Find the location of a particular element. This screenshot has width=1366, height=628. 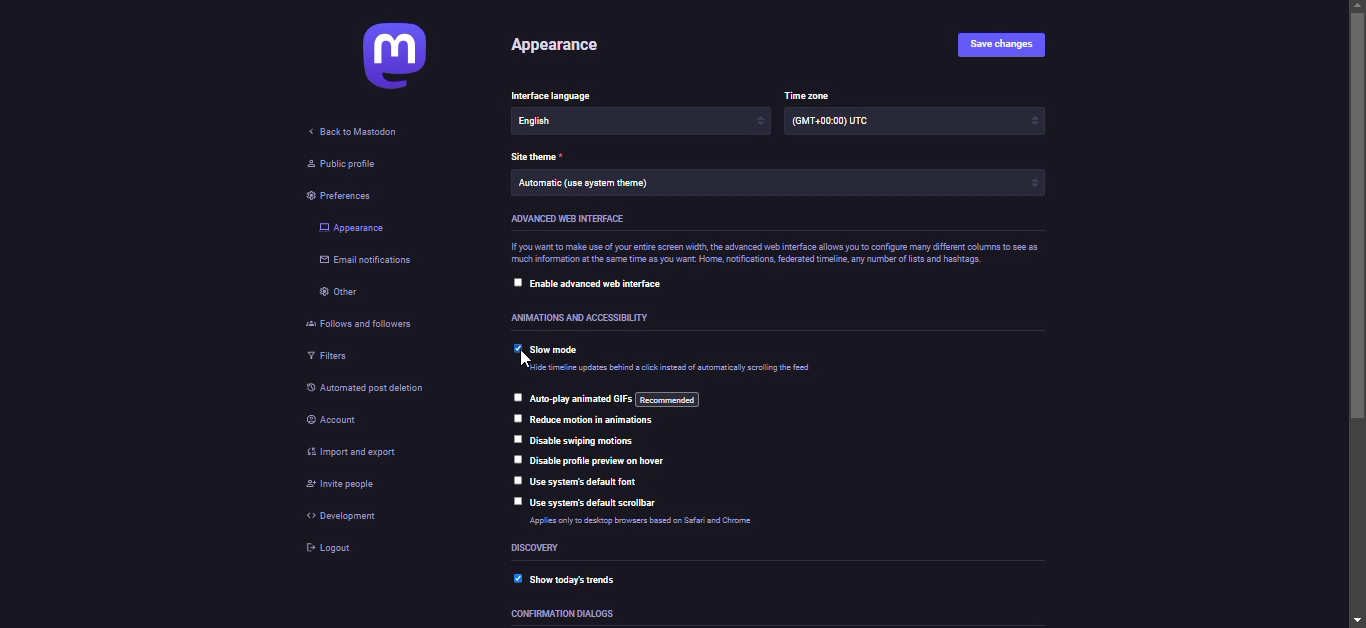

logout is located at coordinates (327, 548).